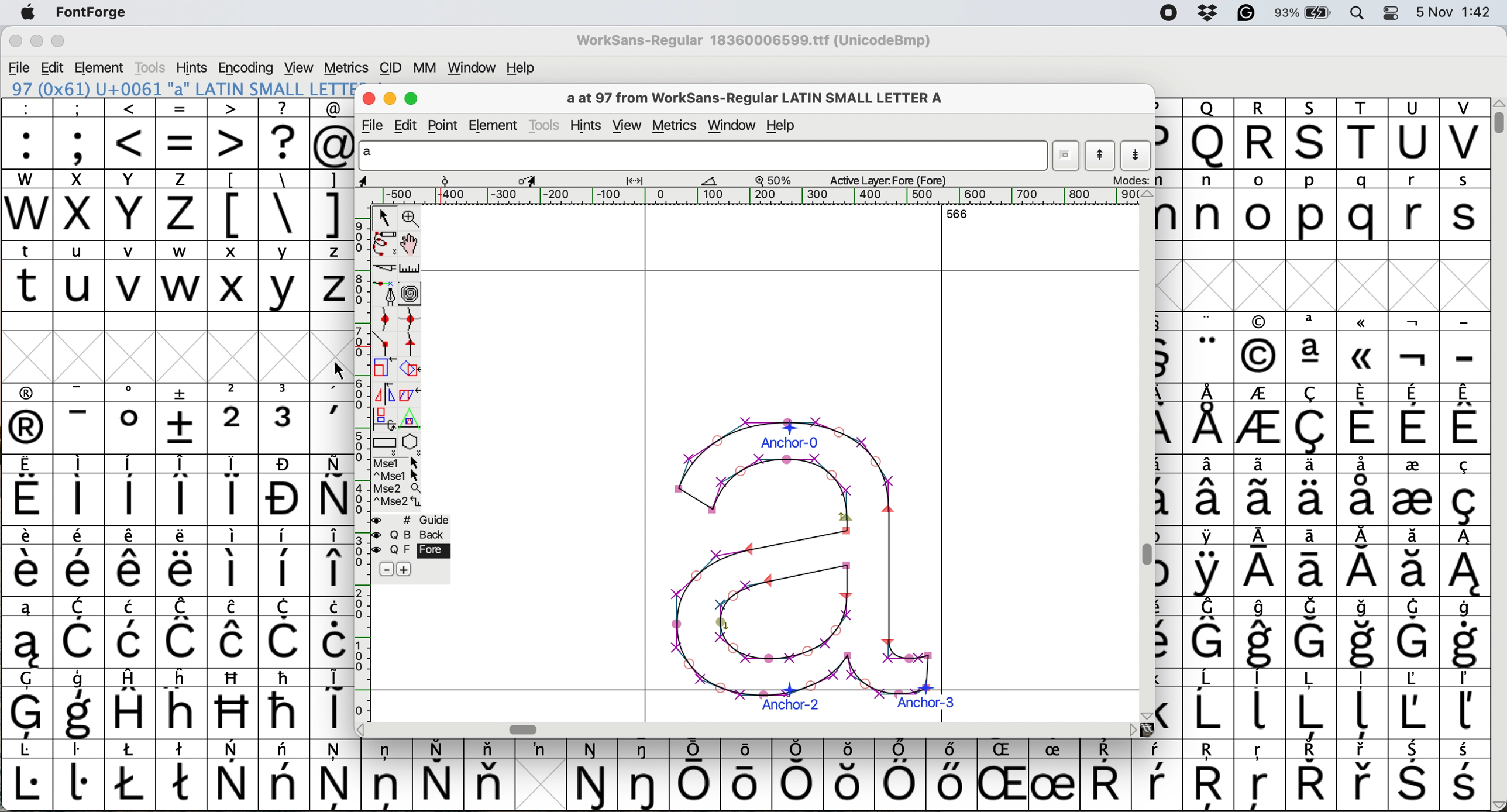  Describe the element at coordinates (284, 703) in the screenshot. I see `symbol` at that location.